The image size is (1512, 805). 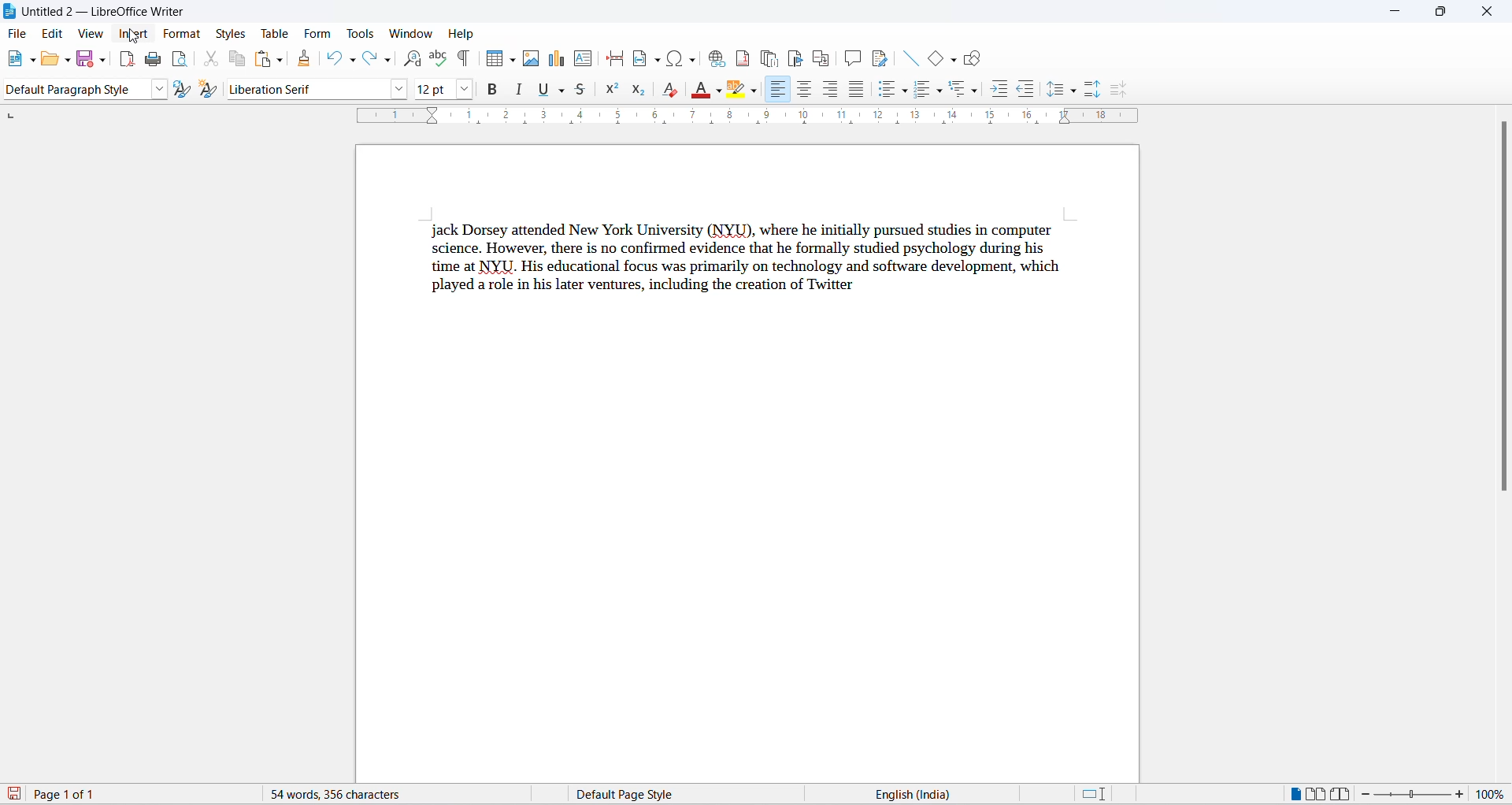 What do you see at coordinates (1291, 793) in the screenshot?
I see `single page view` at bounding box center [1291, 793].